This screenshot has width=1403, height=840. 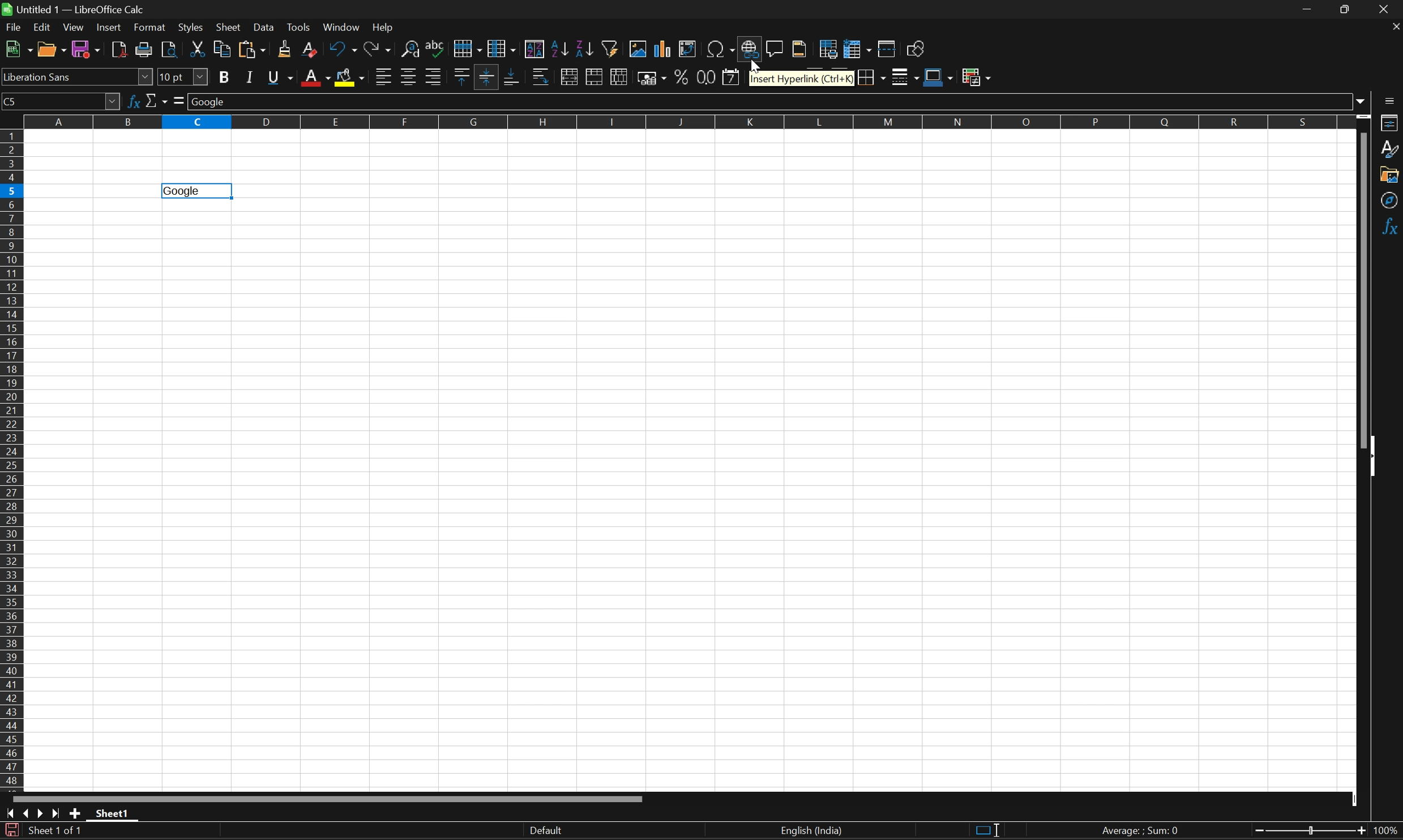 I want to click on Format as date, so click(x=732, y=78).